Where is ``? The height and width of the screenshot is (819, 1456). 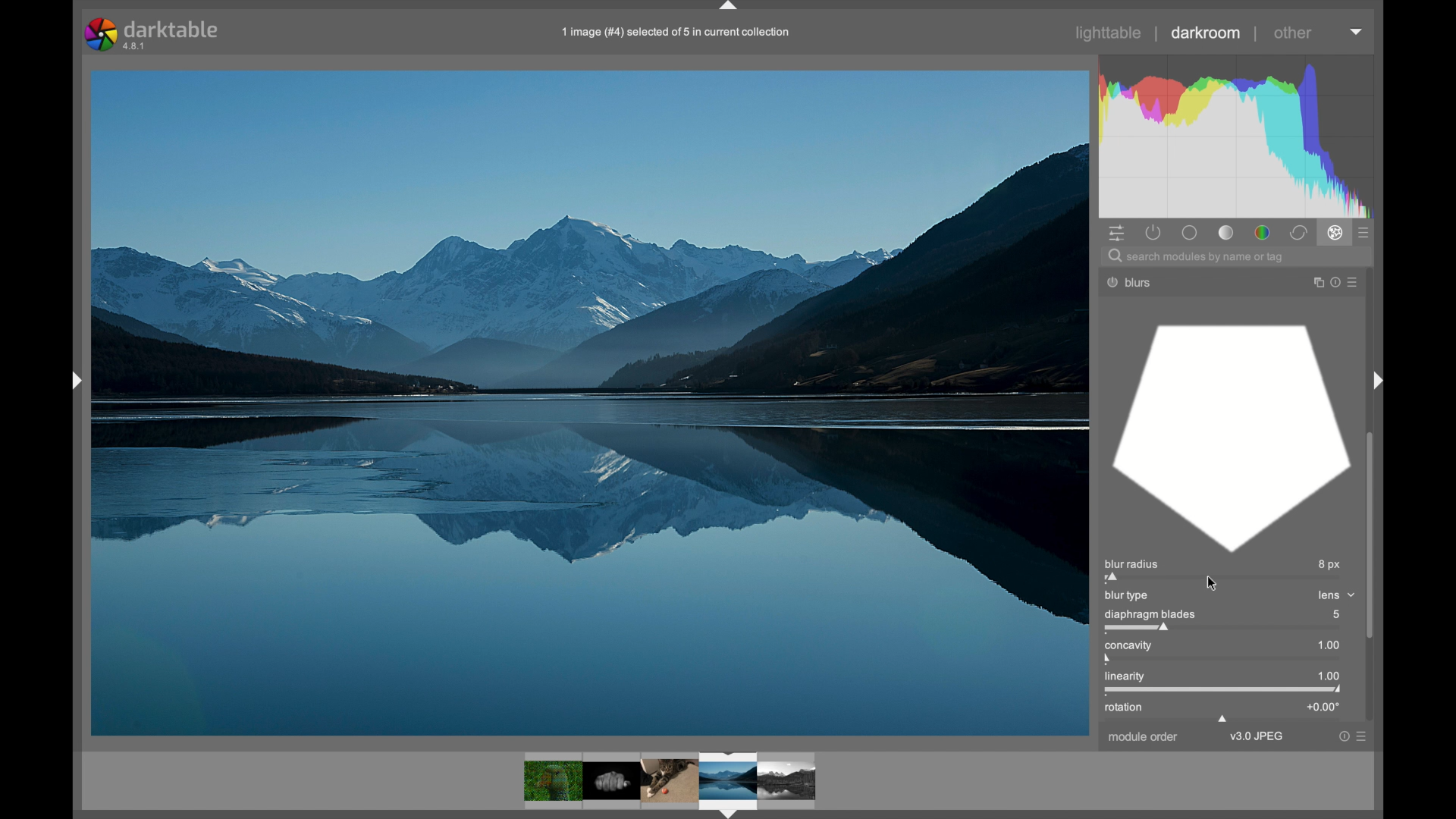
 is located at coordinates (70, 378).